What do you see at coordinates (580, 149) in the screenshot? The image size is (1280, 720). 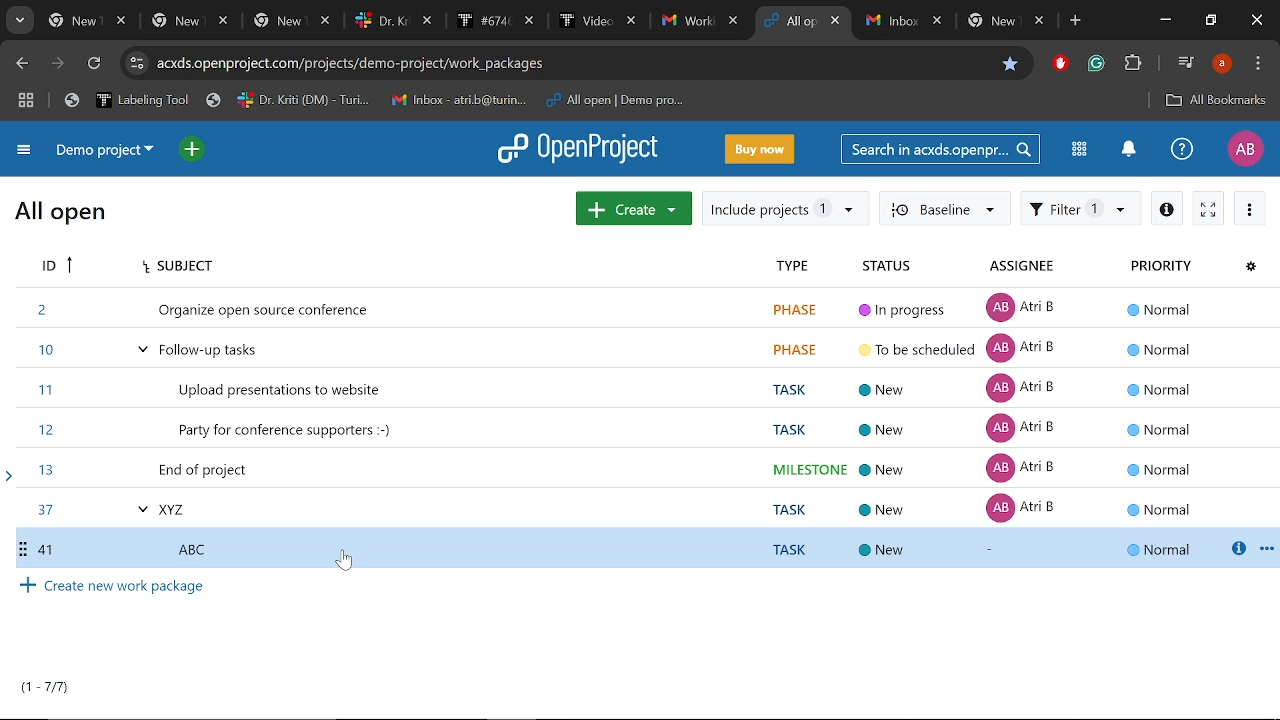 I see `Openproject logo` at bounding box center [580, 149].